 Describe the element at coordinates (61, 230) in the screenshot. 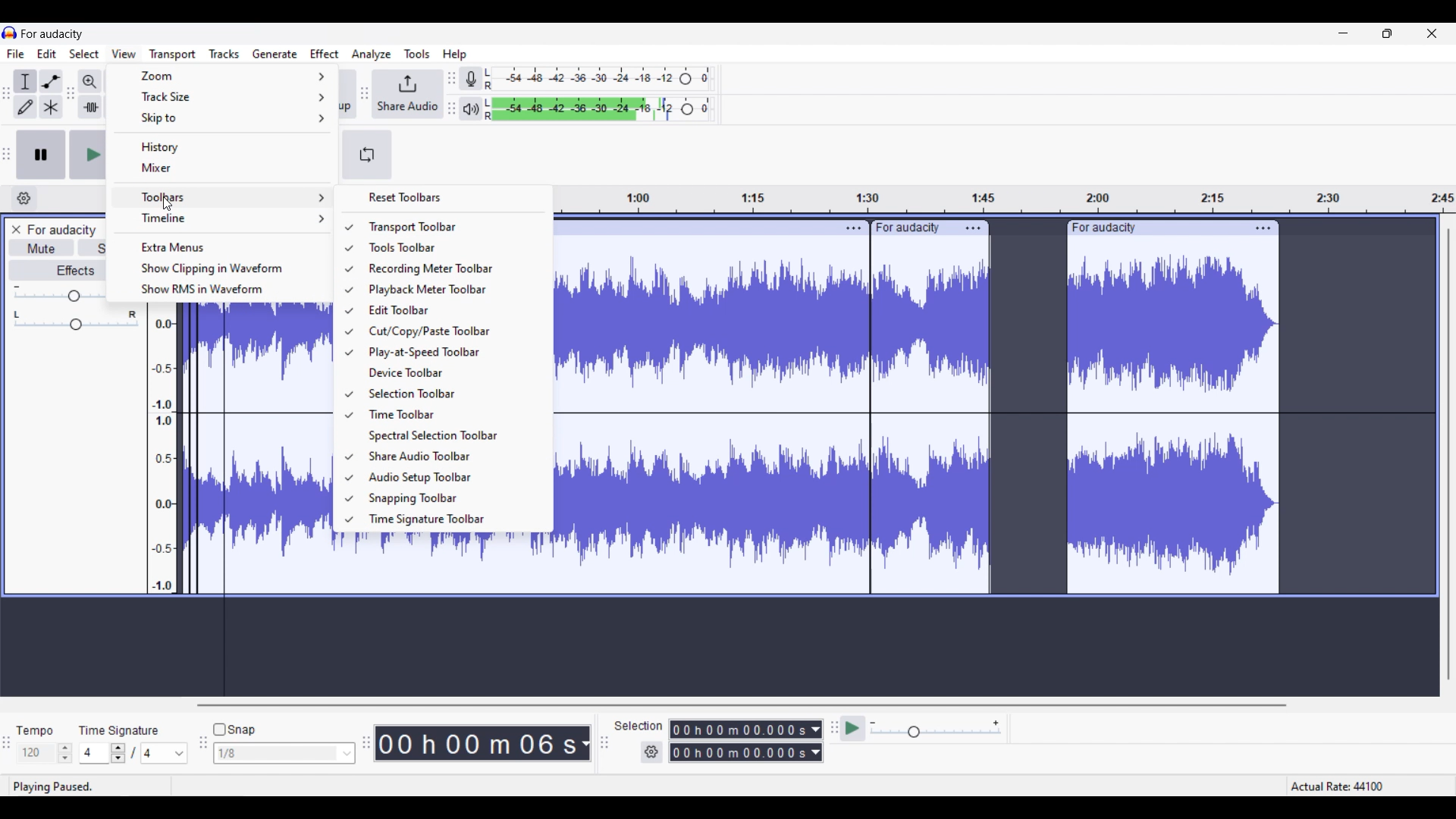

I see `For audacity` at that location.